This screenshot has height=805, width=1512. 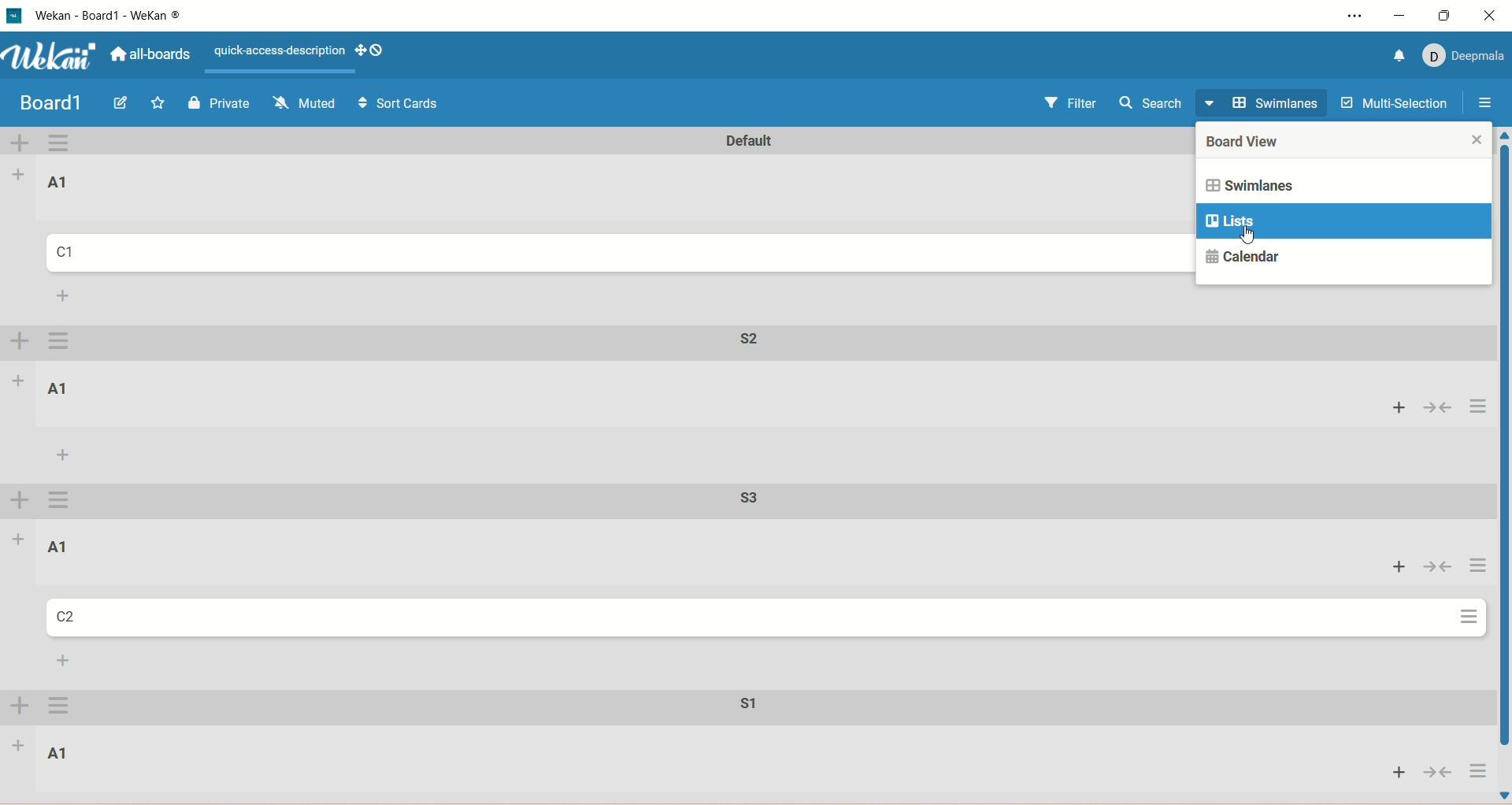 What do you see at coordinates (1472, 567) in the screenshot?
I see `actions` at bounding box center [1472, 567].